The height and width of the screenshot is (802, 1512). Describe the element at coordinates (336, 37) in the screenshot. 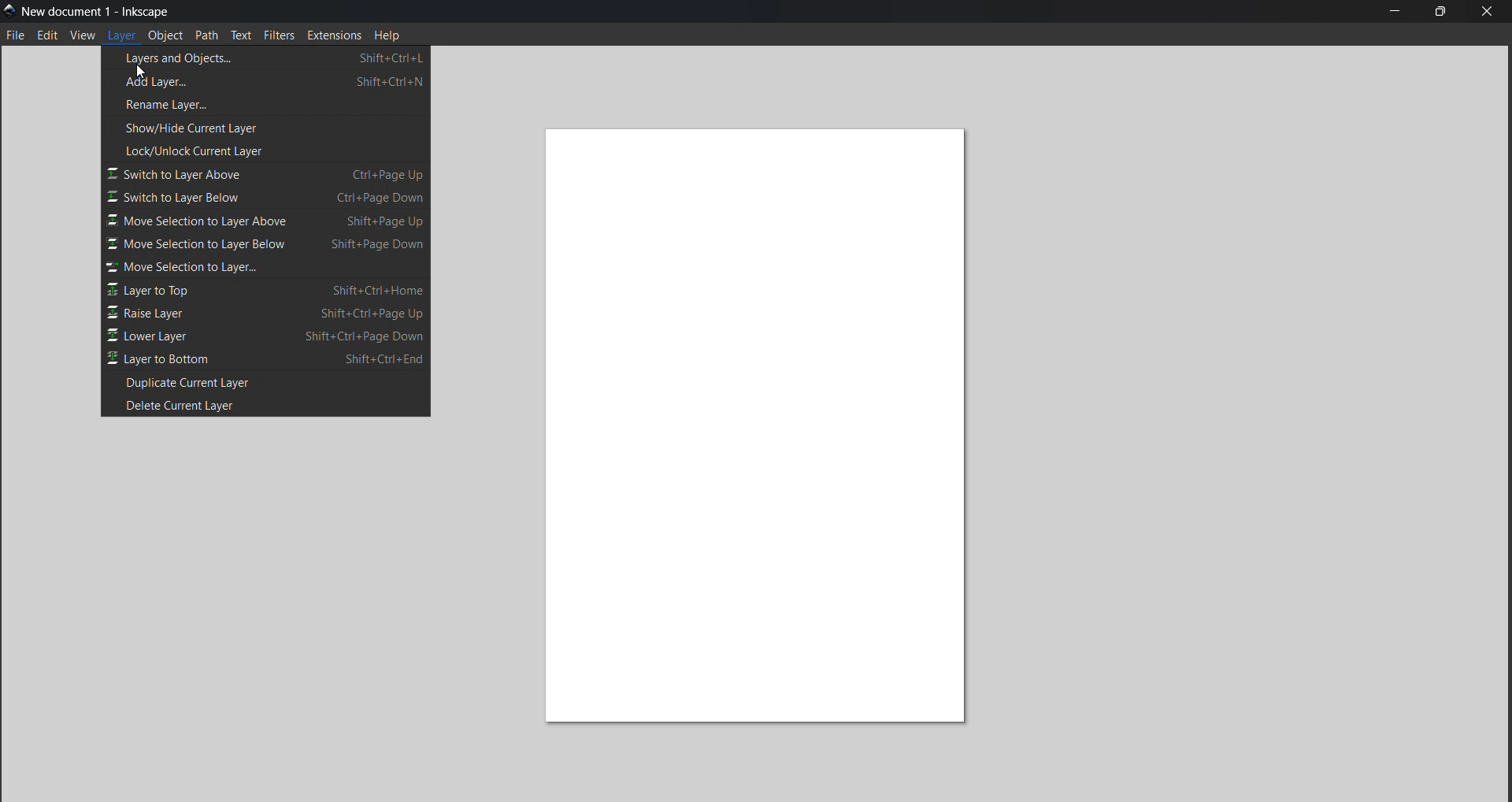

I see `Extensions` at that location.